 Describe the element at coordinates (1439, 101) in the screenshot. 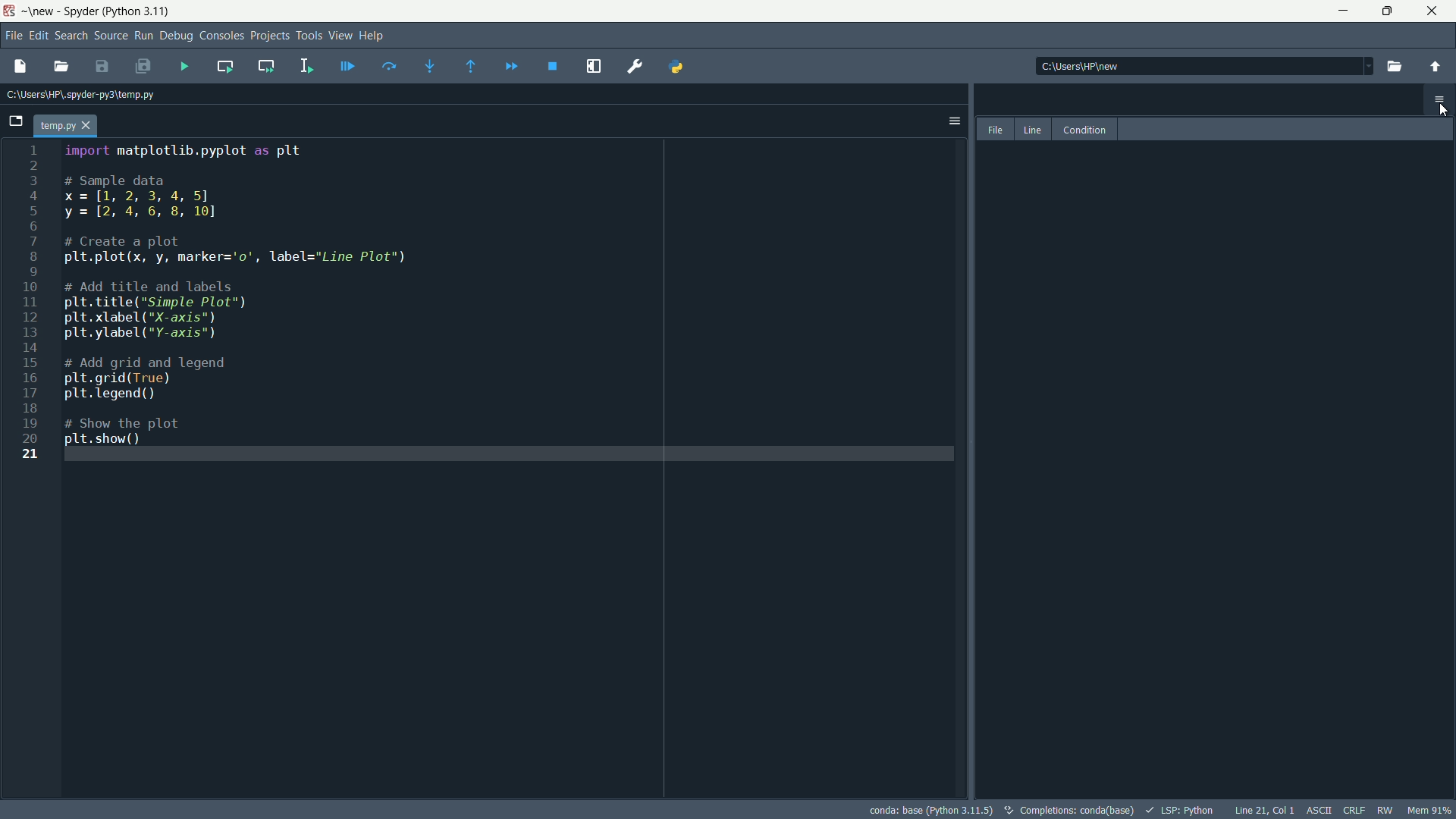

I see `menu` at that location.